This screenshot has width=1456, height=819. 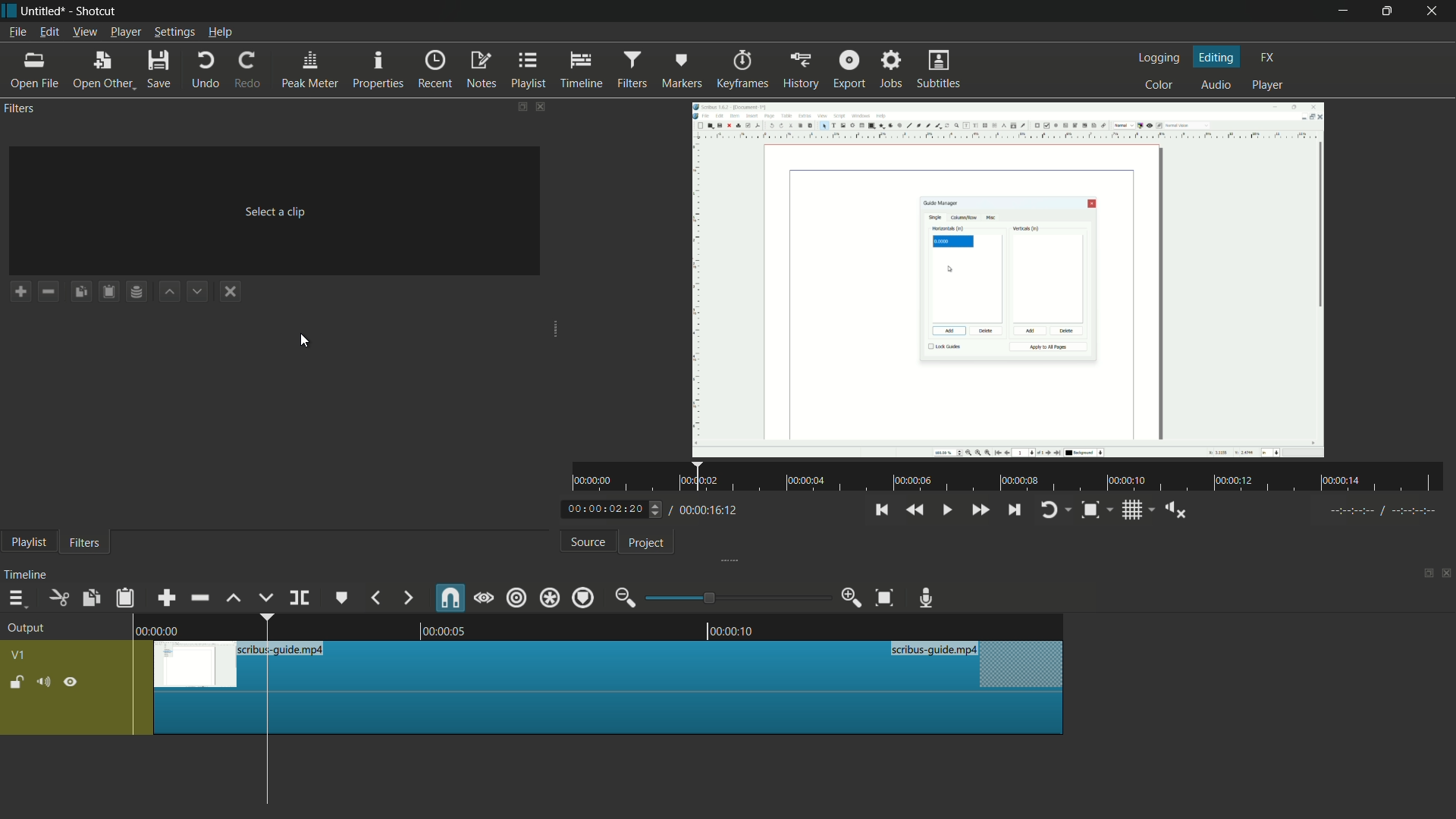 What do you see at coordinates (49, 32) in the screenshot?
I see `edit menu` at bounding box center [49, 32].